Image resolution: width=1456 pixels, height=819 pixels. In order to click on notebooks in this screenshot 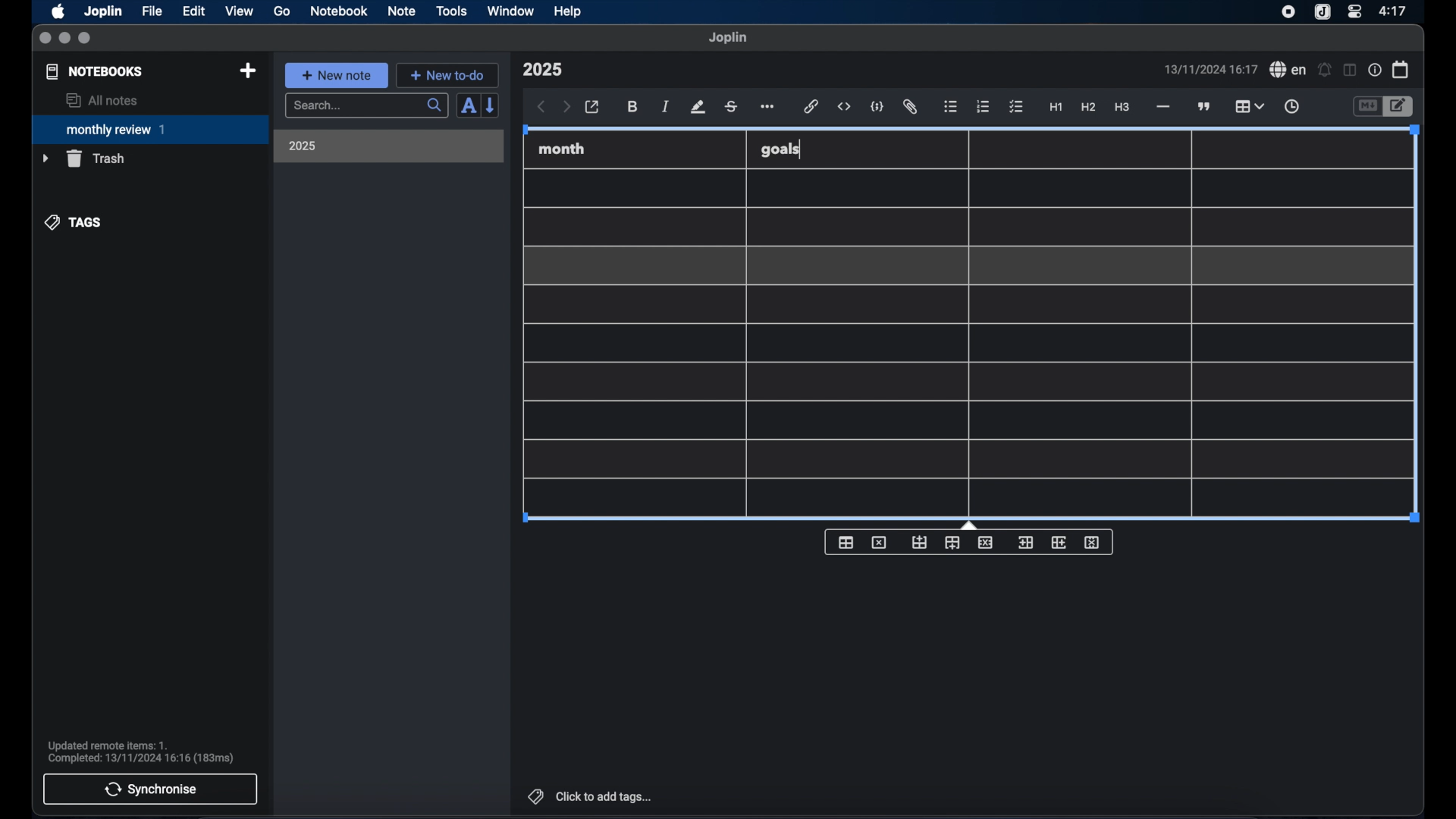, I will do `click(95, 71)`.